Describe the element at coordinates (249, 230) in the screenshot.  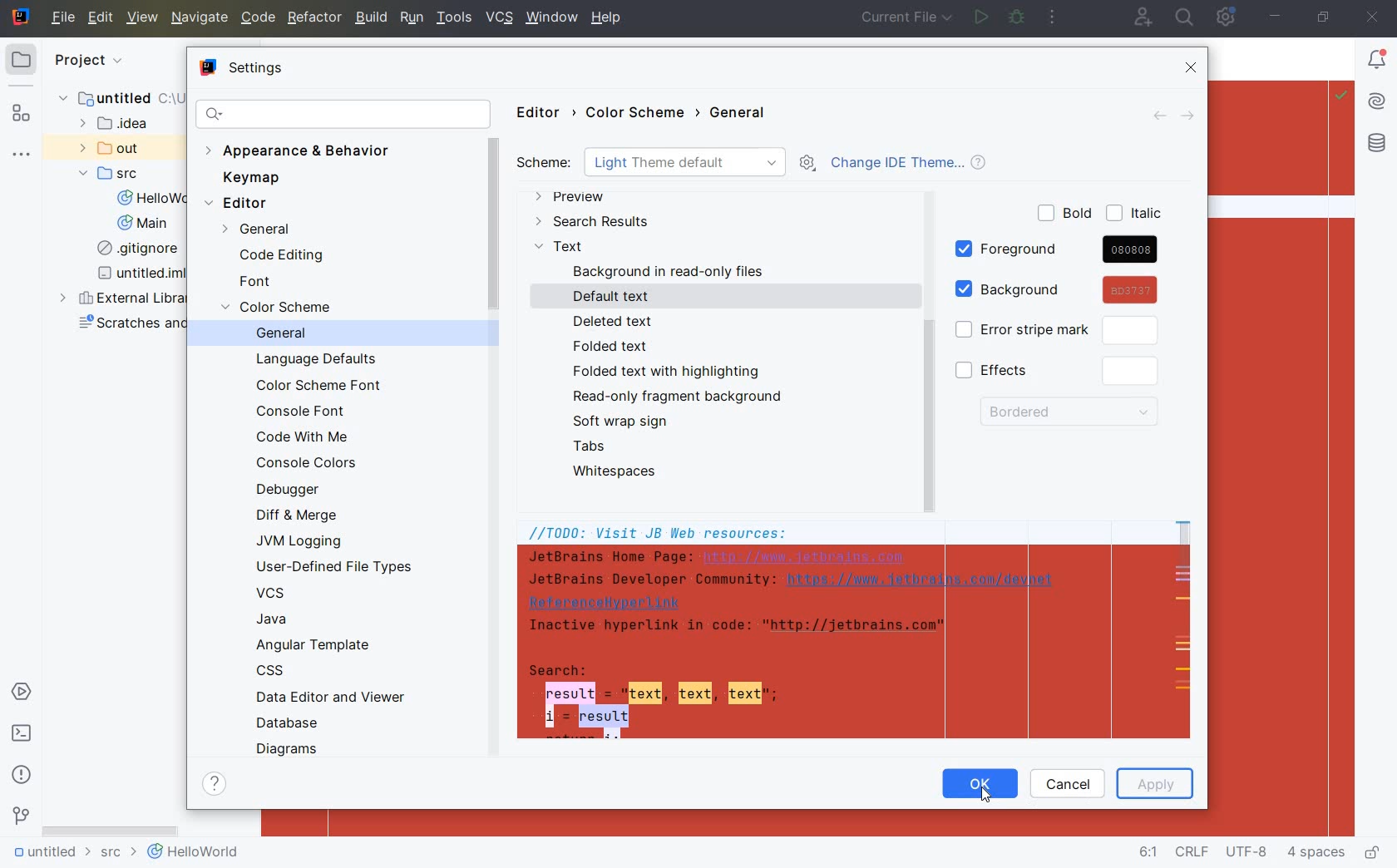
I see `GENERAL` at that location.